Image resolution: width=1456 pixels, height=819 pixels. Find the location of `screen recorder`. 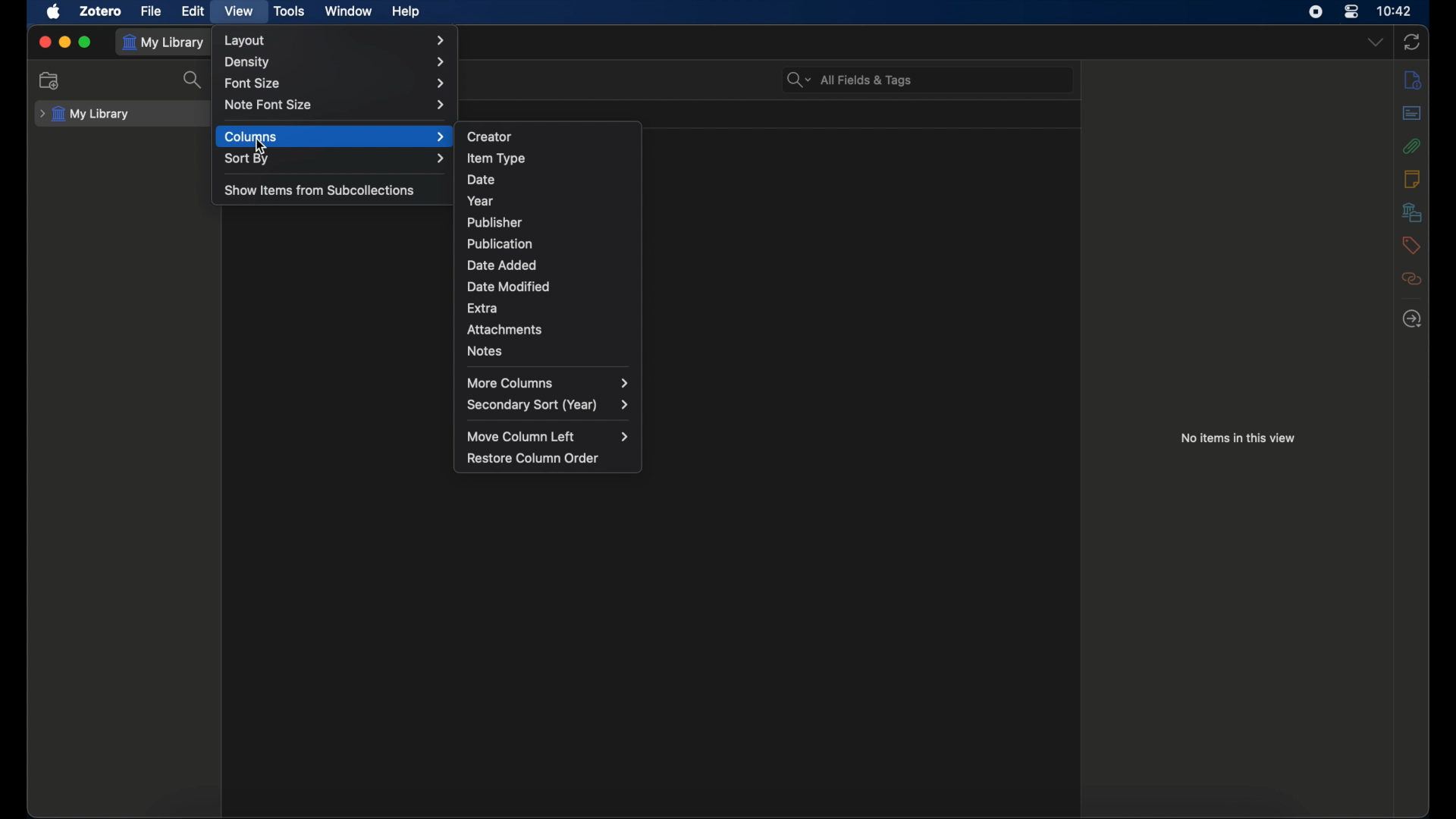

screen recorder is located at coordinates (1316, 11).